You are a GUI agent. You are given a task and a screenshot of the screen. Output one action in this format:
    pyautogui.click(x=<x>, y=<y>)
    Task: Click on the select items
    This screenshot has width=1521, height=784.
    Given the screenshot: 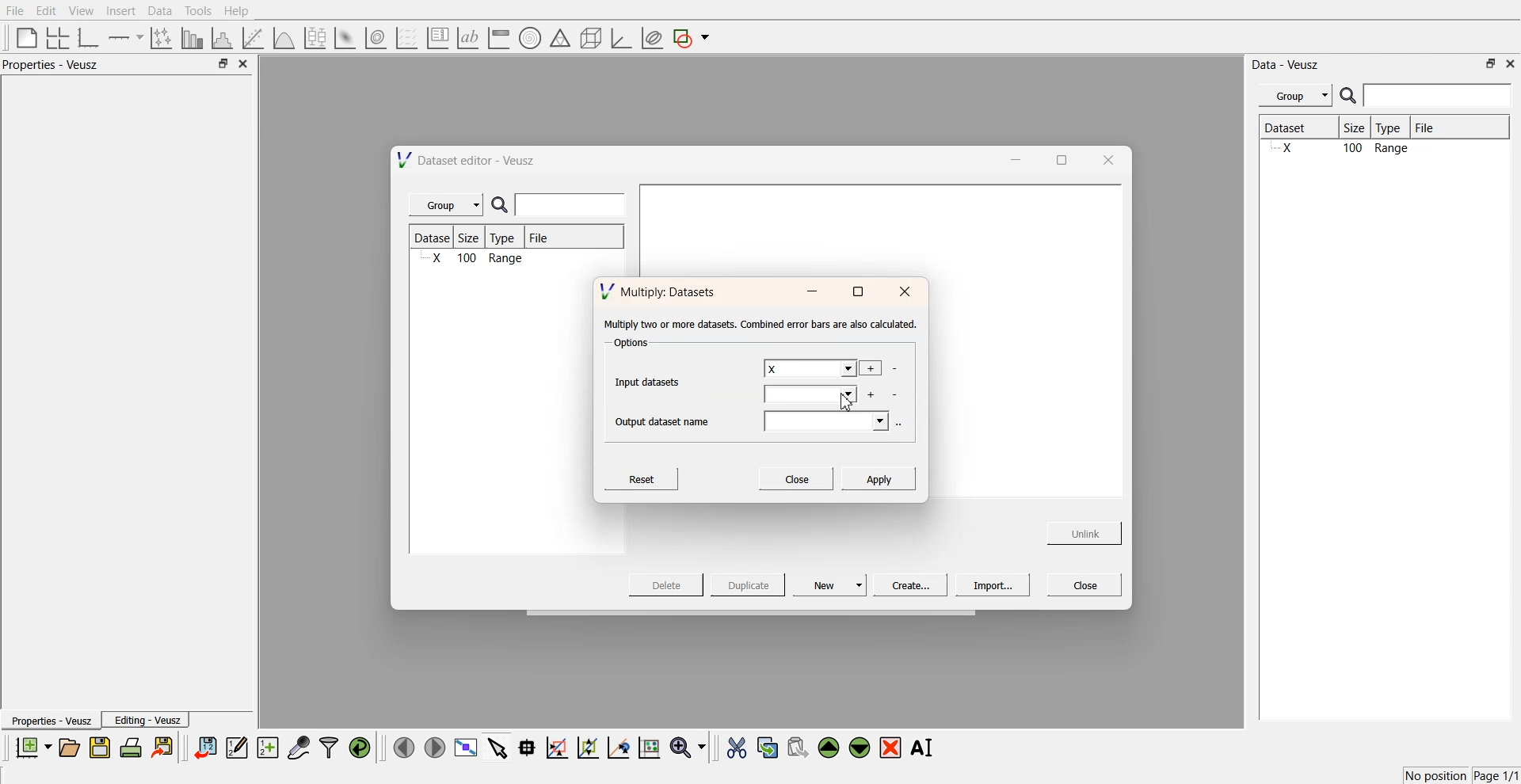 What is the action you would take?
    pyautogui.click(x=497, y=747)
    